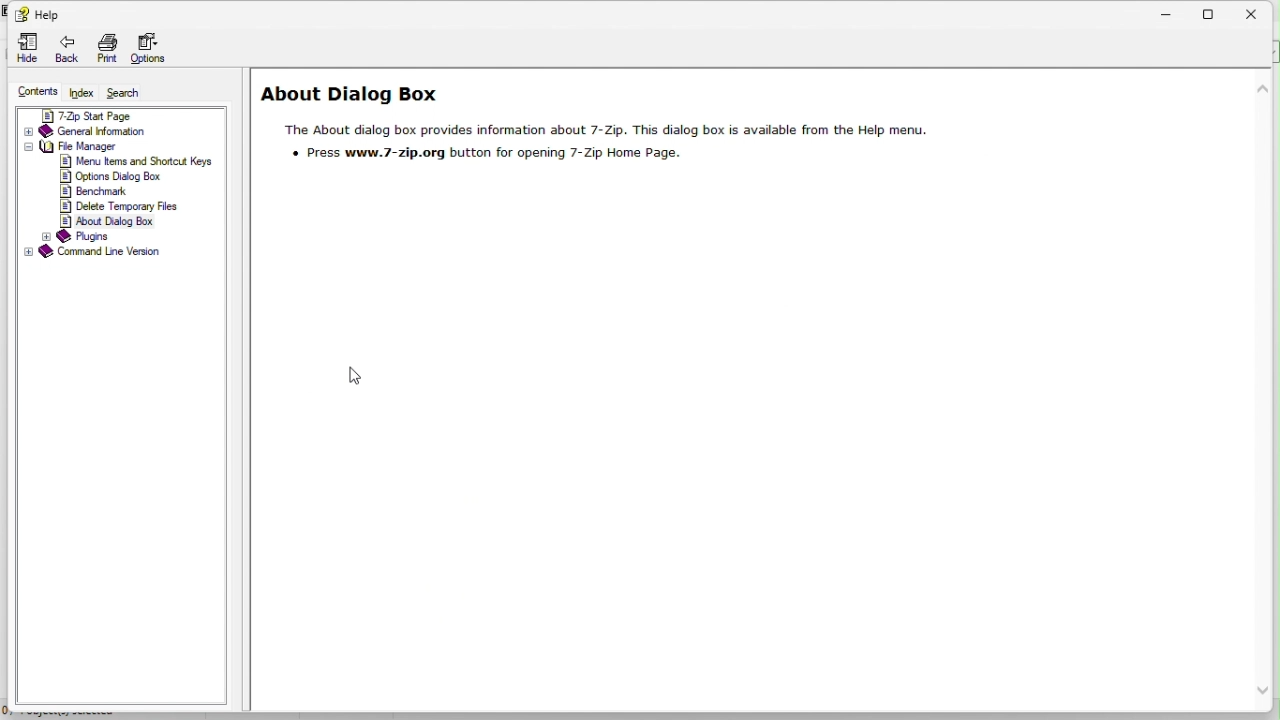  What do you see at coordinates (699, 562) in the screenshot?
I see `You have access to the following items from root folder in 7-Zip File Manager:
«+ Computer: computer's disks
+ Documents: My Documents folder of current user
Network
© \\. : the folder for low-level access to disks. You must have administrator's rights to use that folder. You can
« copy .iso images from CD/DVD to file.
« view NTFS/FAT partitions via 7-Zip parser. It provides read-only access to files.` at bounding box center [699, 562].